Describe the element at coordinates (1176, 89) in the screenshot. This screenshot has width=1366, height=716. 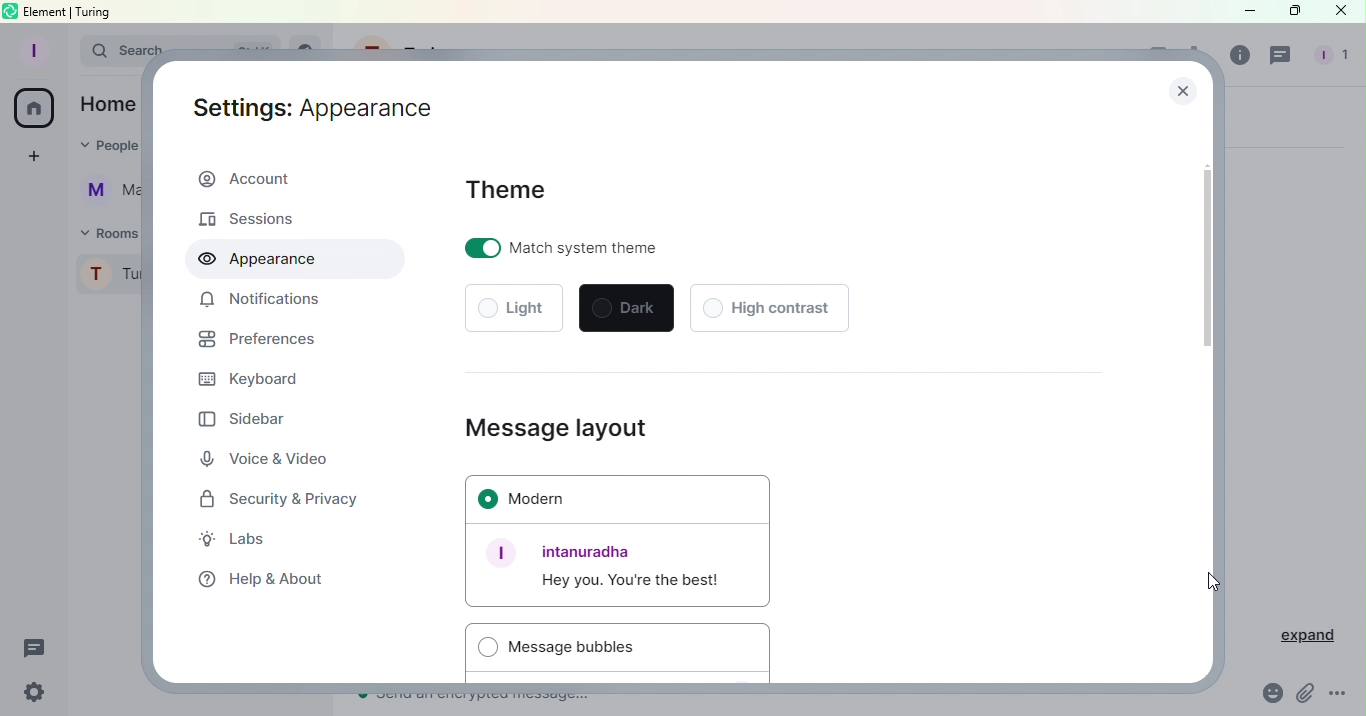
I see `Close` at that location.